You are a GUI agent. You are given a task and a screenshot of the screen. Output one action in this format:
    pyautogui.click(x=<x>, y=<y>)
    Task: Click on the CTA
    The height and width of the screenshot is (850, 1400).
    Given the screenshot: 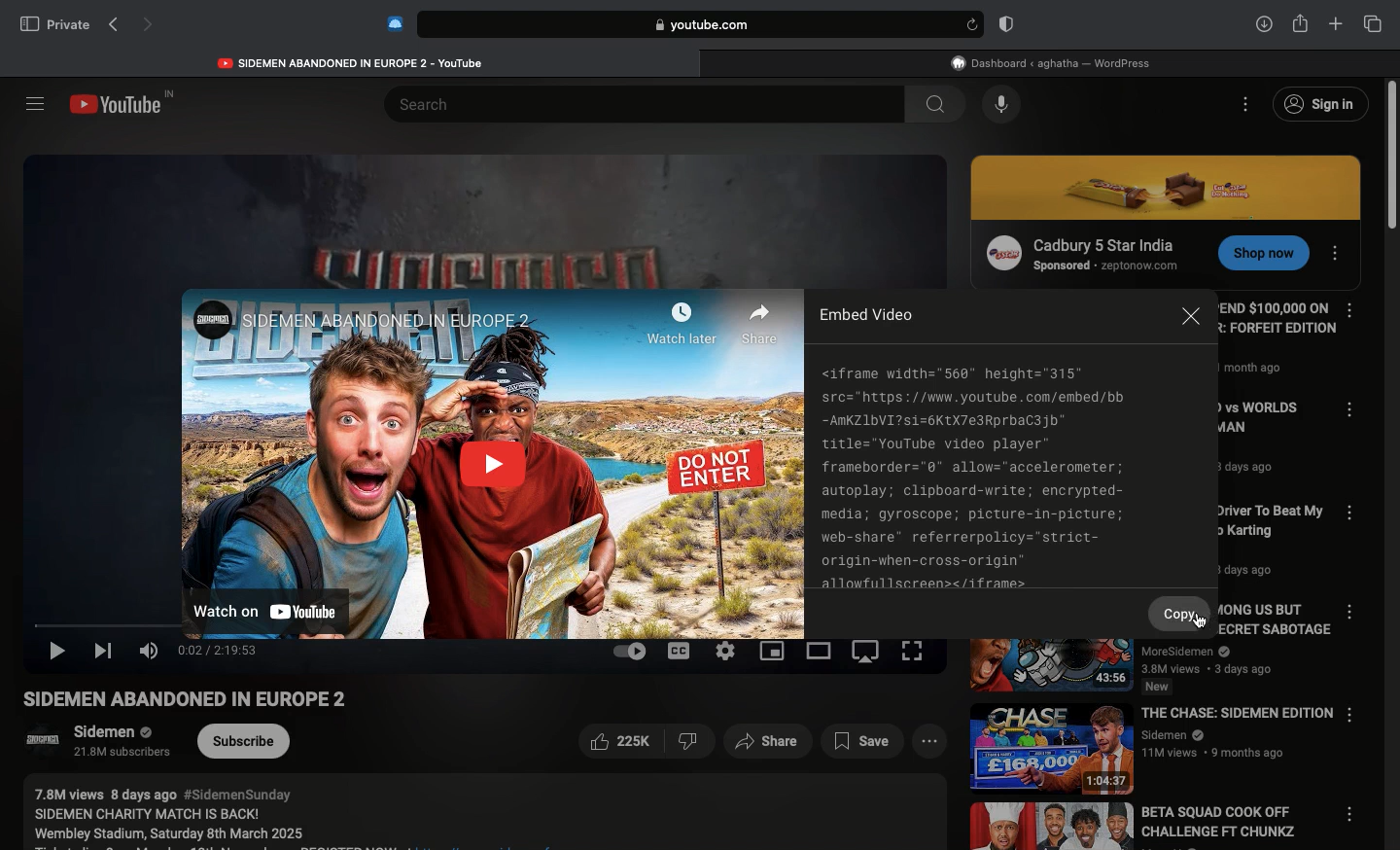 What is the action you would take?
    pyautogui.click(x=1257, y=256)
    